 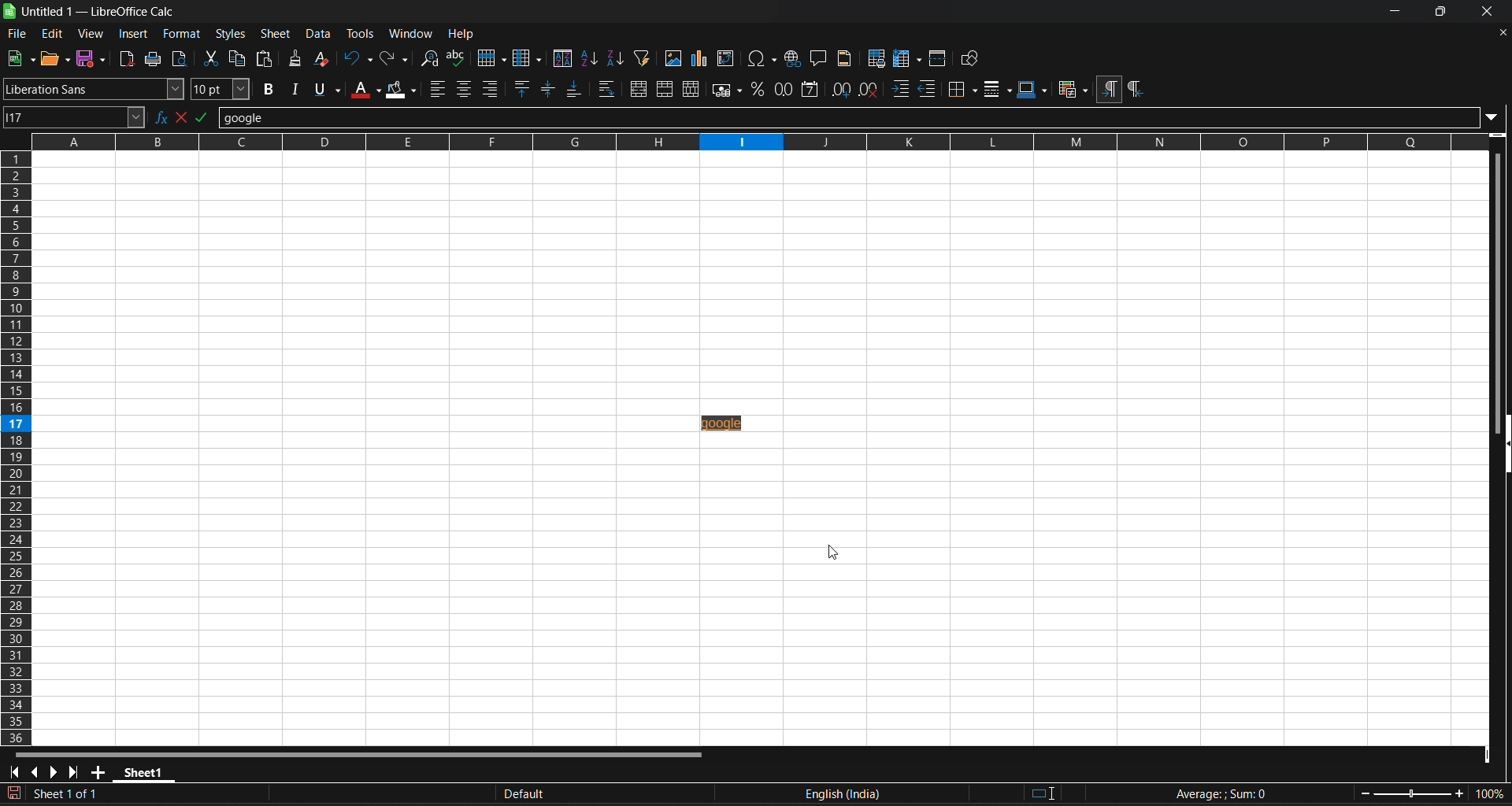 I want to click on wrap text, so click(x=608, y=89).